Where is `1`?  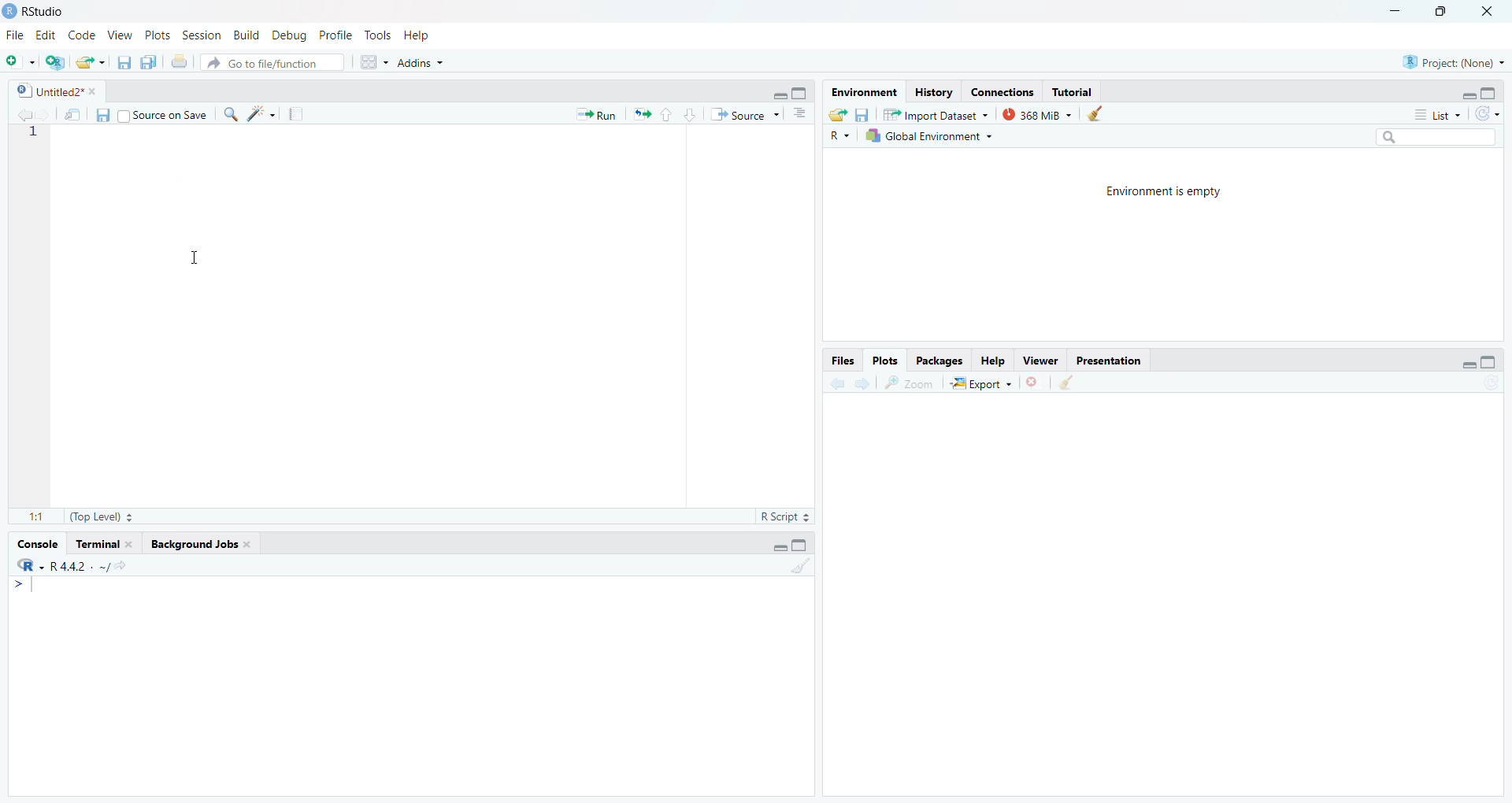 1 is located at coordinates (41, 138).